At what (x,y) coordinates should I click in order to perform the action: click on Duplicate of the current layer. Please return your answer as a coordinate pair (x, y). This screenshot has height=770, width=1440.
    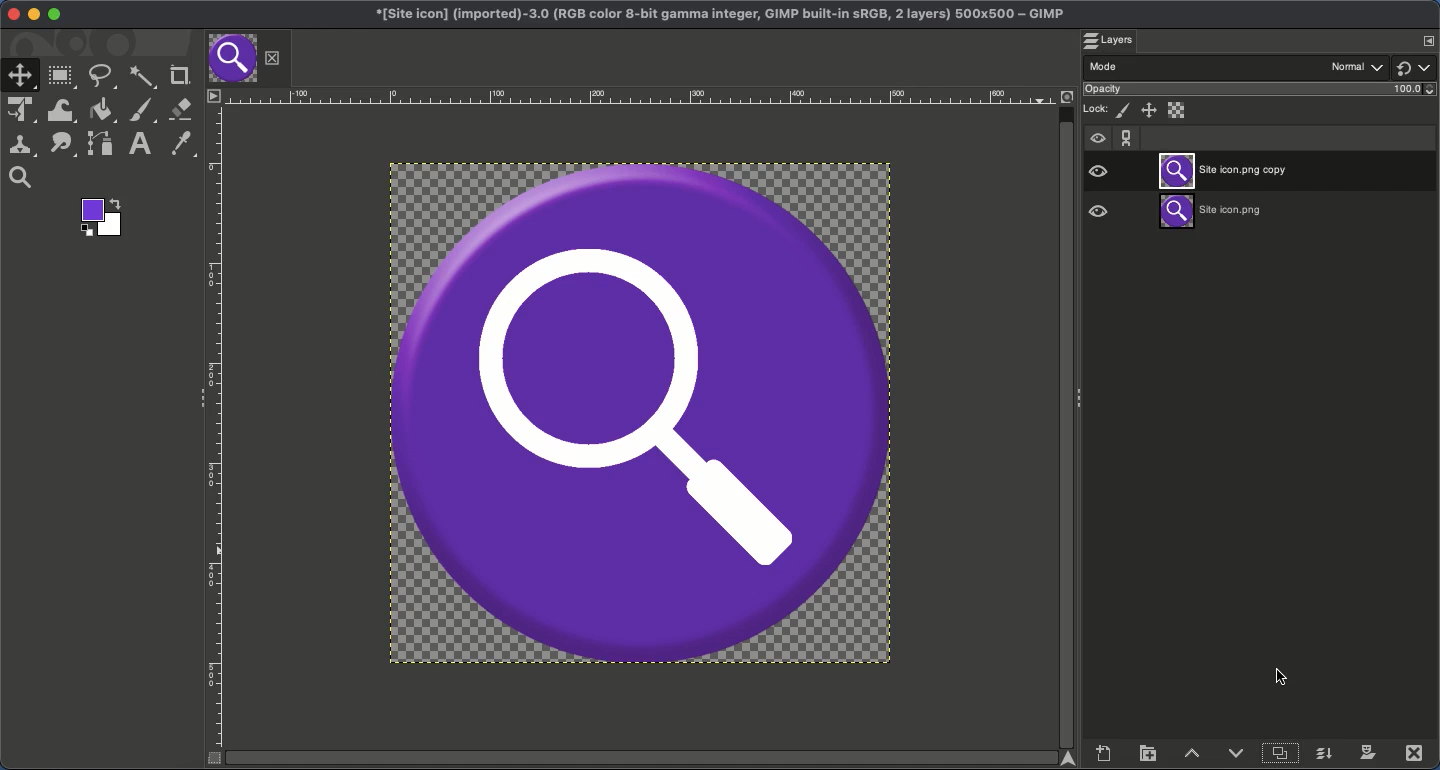
    Looking at the image, I should click on (1278, 752).